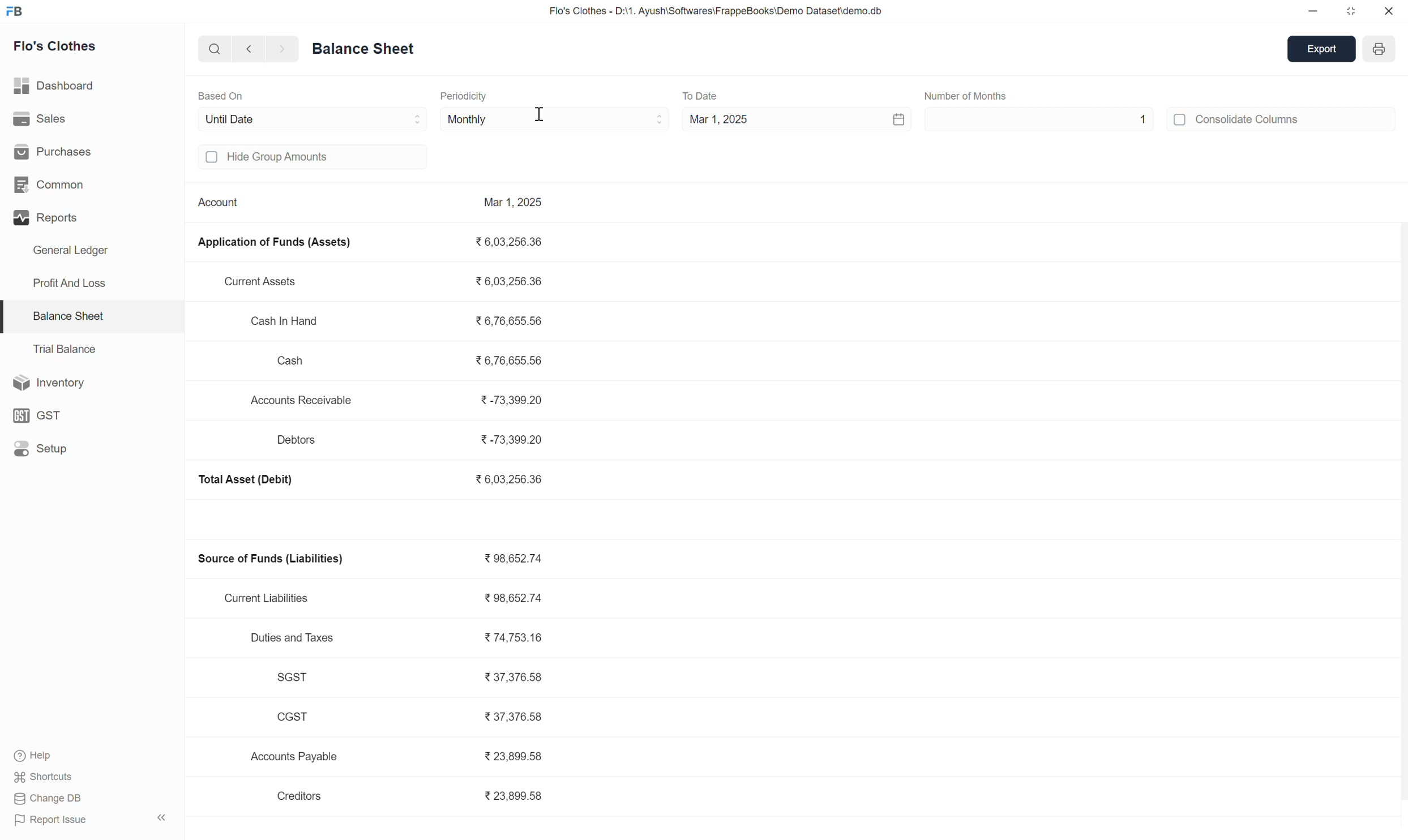 This screenshot has width=1408, height=840. What do you see at coordinates (371, 480) in the screenshot?
I see `Total Asset (Debit) %6,03,256.36` at bounding box center [371, 480].